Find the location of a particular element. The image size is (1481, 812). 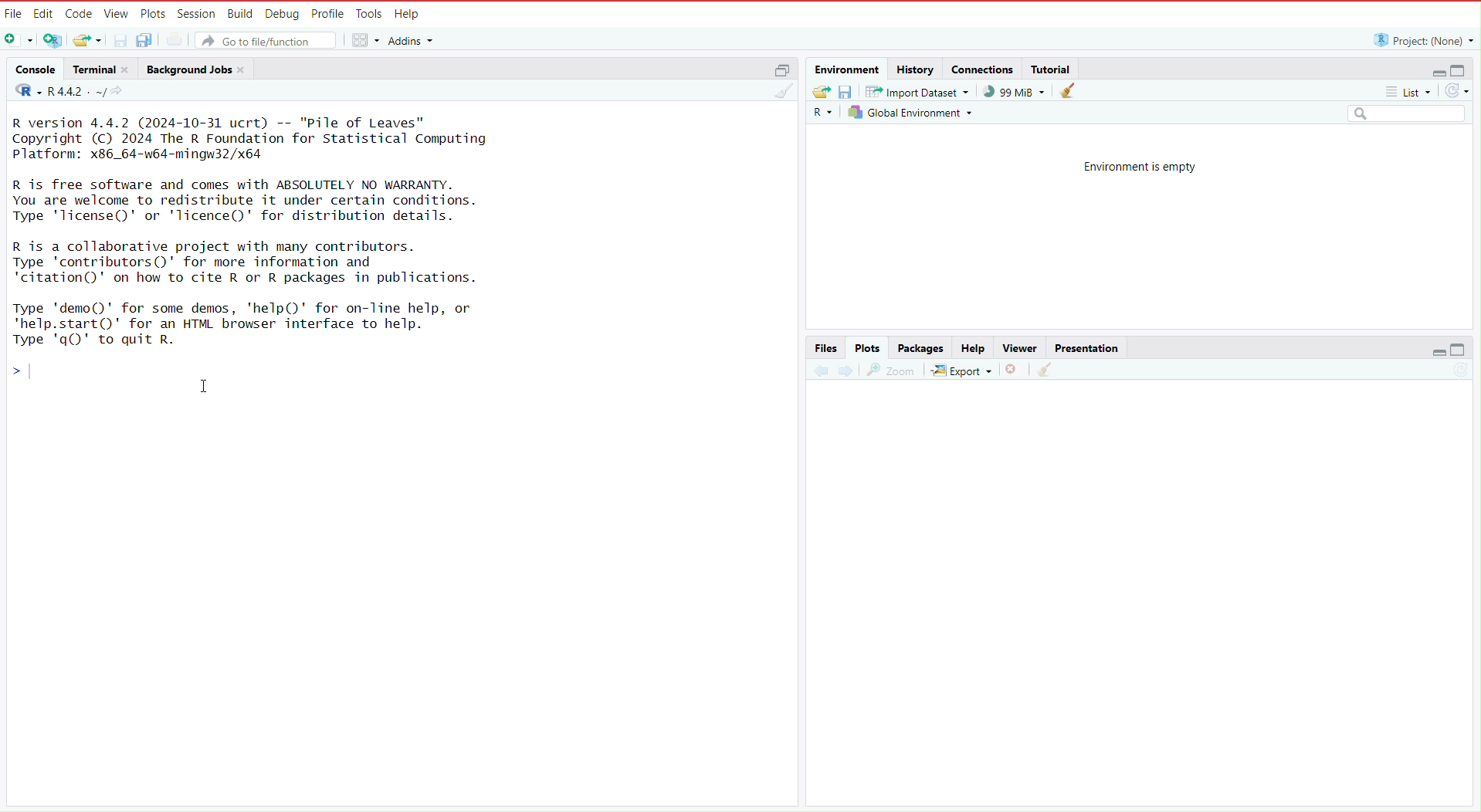

save workspace as is located at coordinates (846, 93).